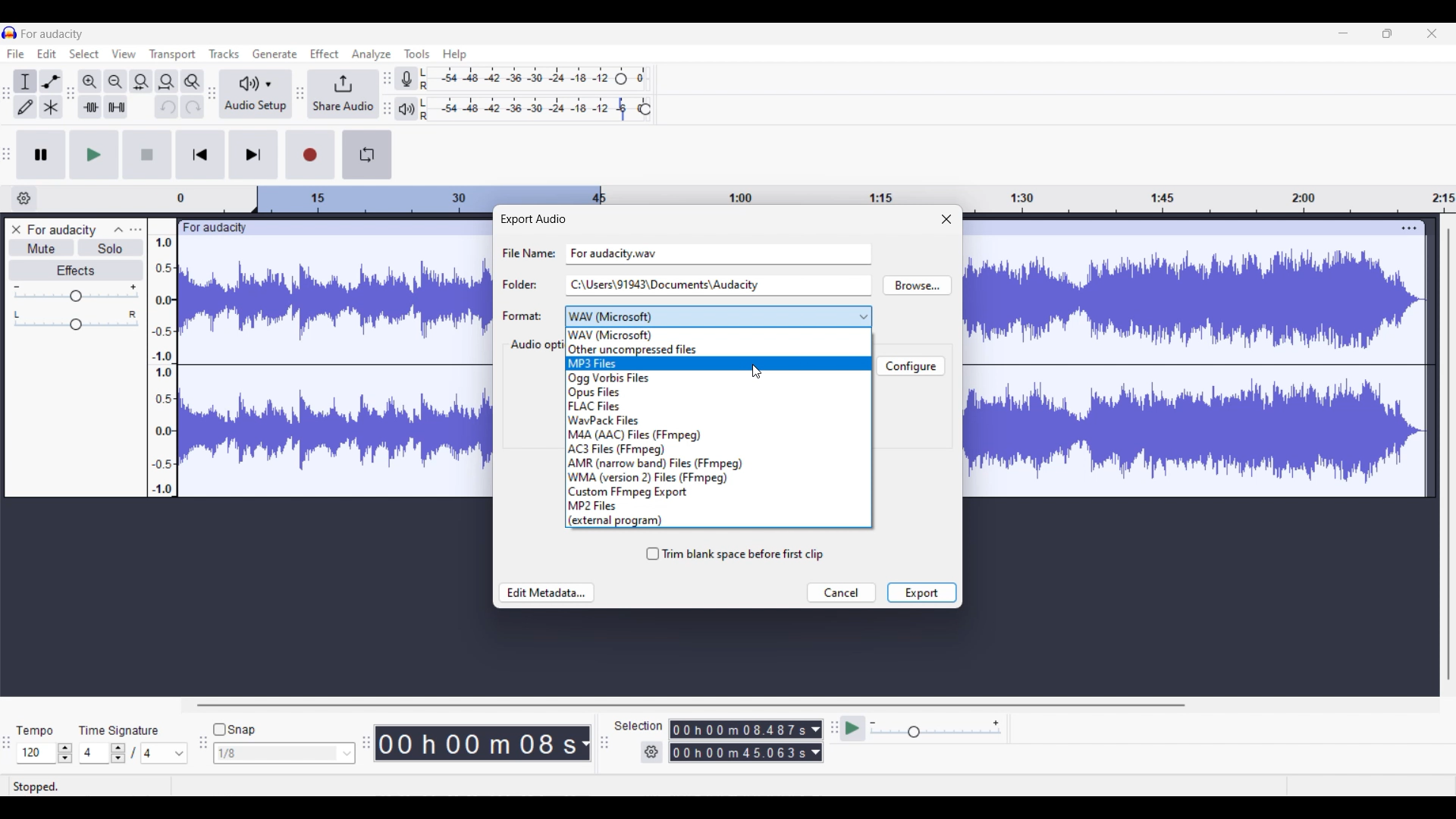 The width and height of the screenshot is (1456, 819). I want to click on Draw tool, so click(25, 107).